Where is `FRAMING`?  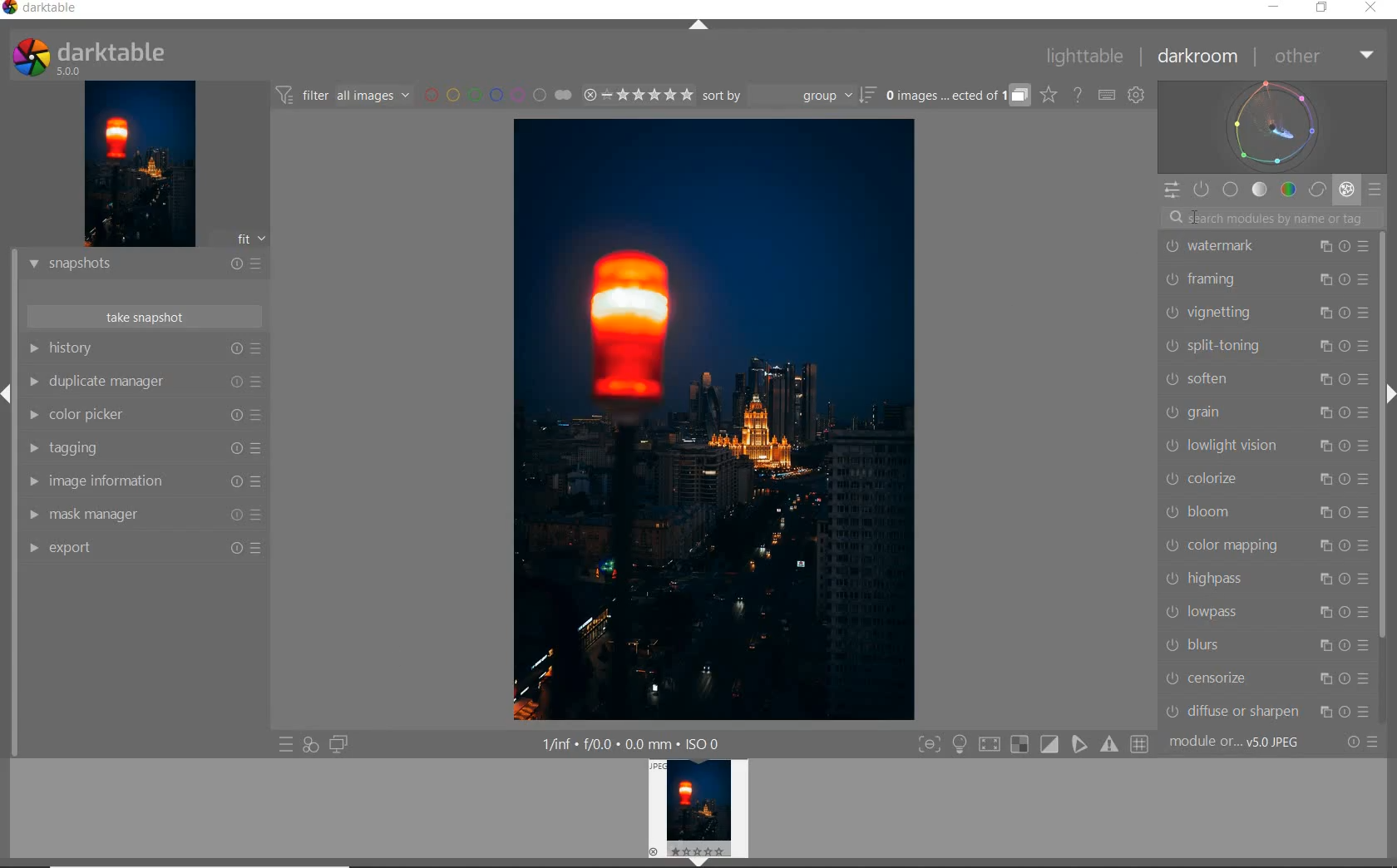 FRAMING is located at coordinates (1219, 280).